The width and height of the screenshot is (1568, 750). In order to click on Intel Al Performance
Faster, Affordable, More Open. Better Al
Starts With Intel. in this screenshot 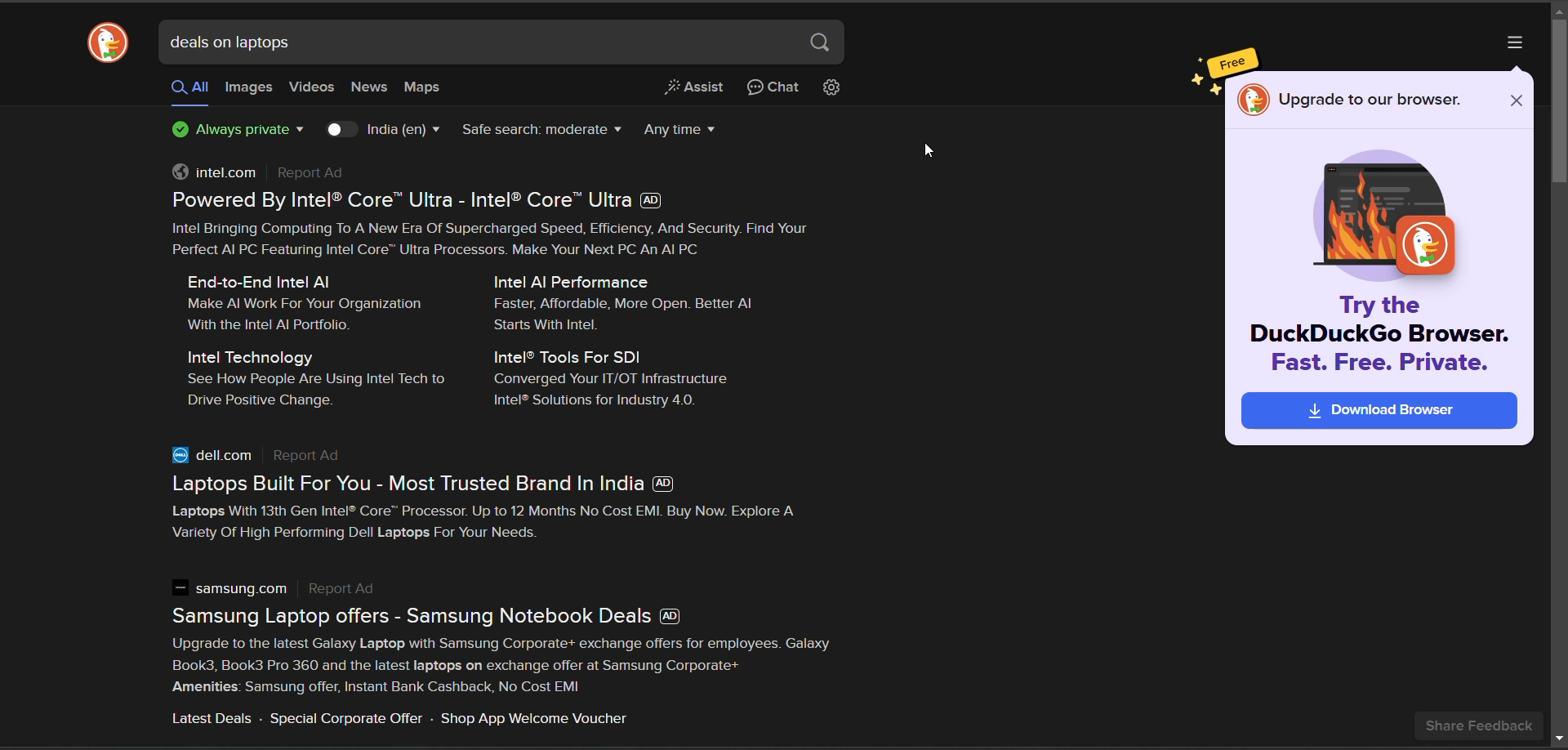, I will do `click(632, 301)`.